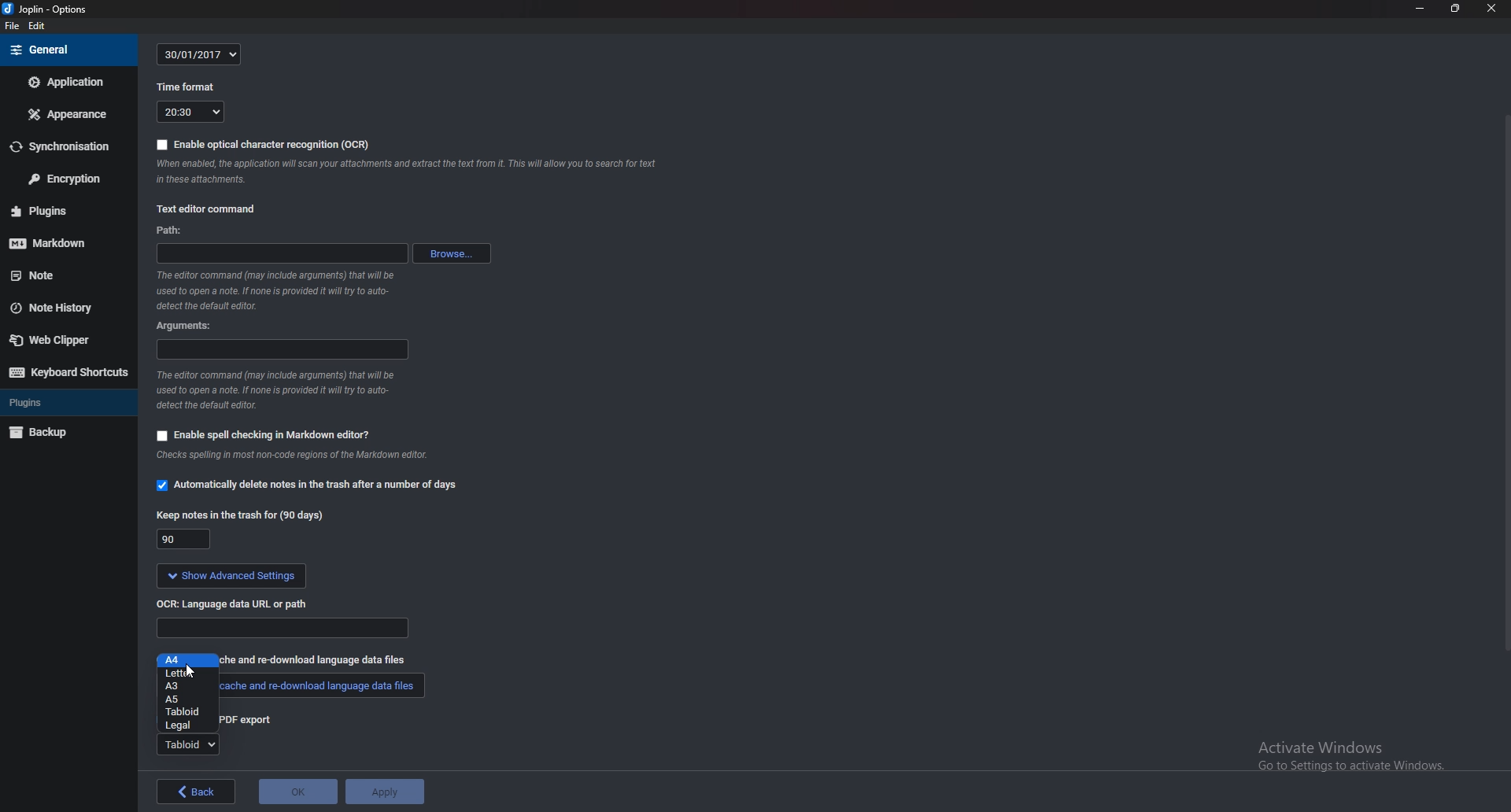 The image size is (1511, 812). Describe the element at coordinates (257, 720) in the screenshot. I see `pdf export` at that location.